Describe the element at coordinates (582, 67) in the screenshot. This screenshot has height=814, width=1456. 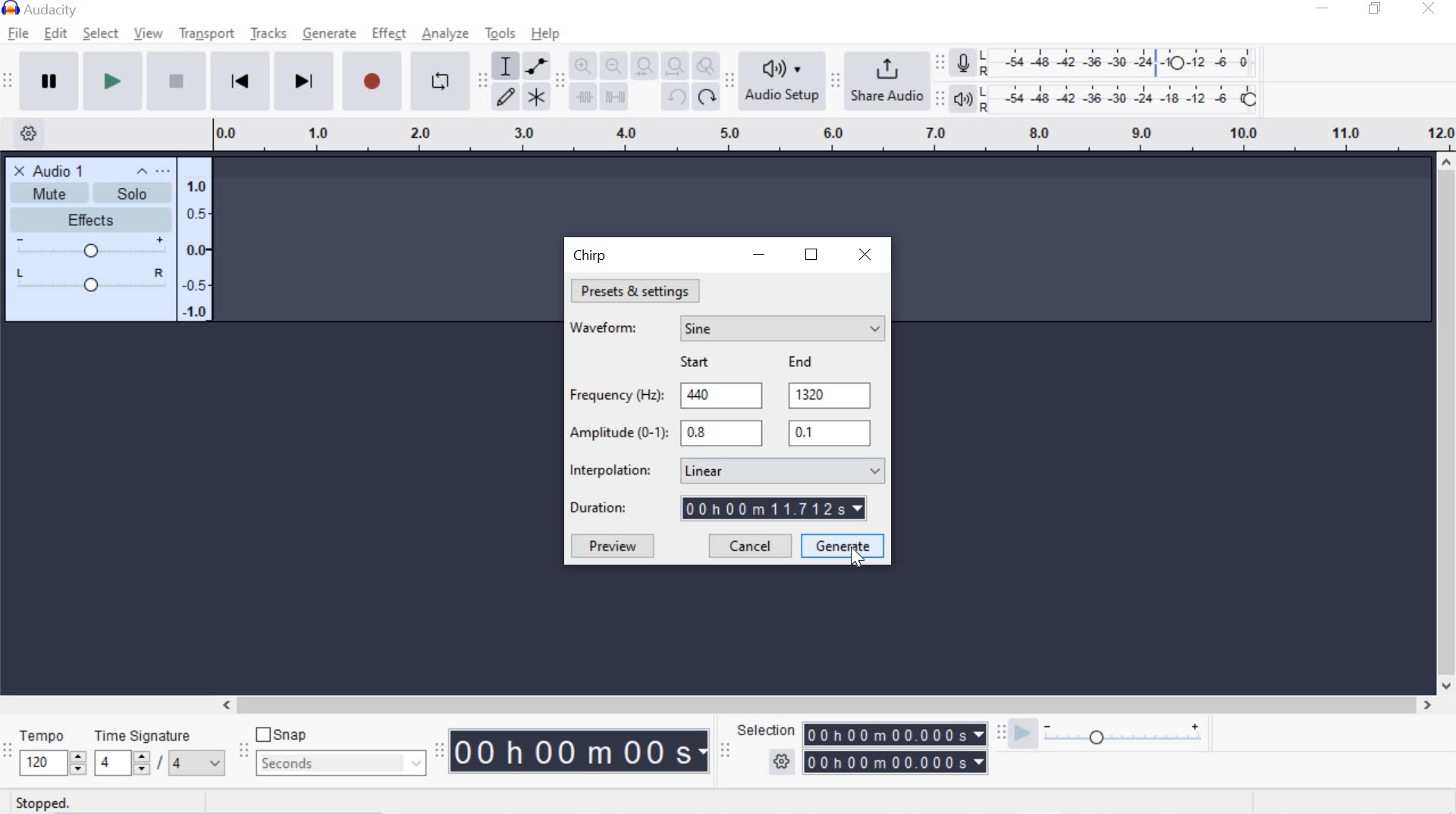
I see `Zoom In` at that location.